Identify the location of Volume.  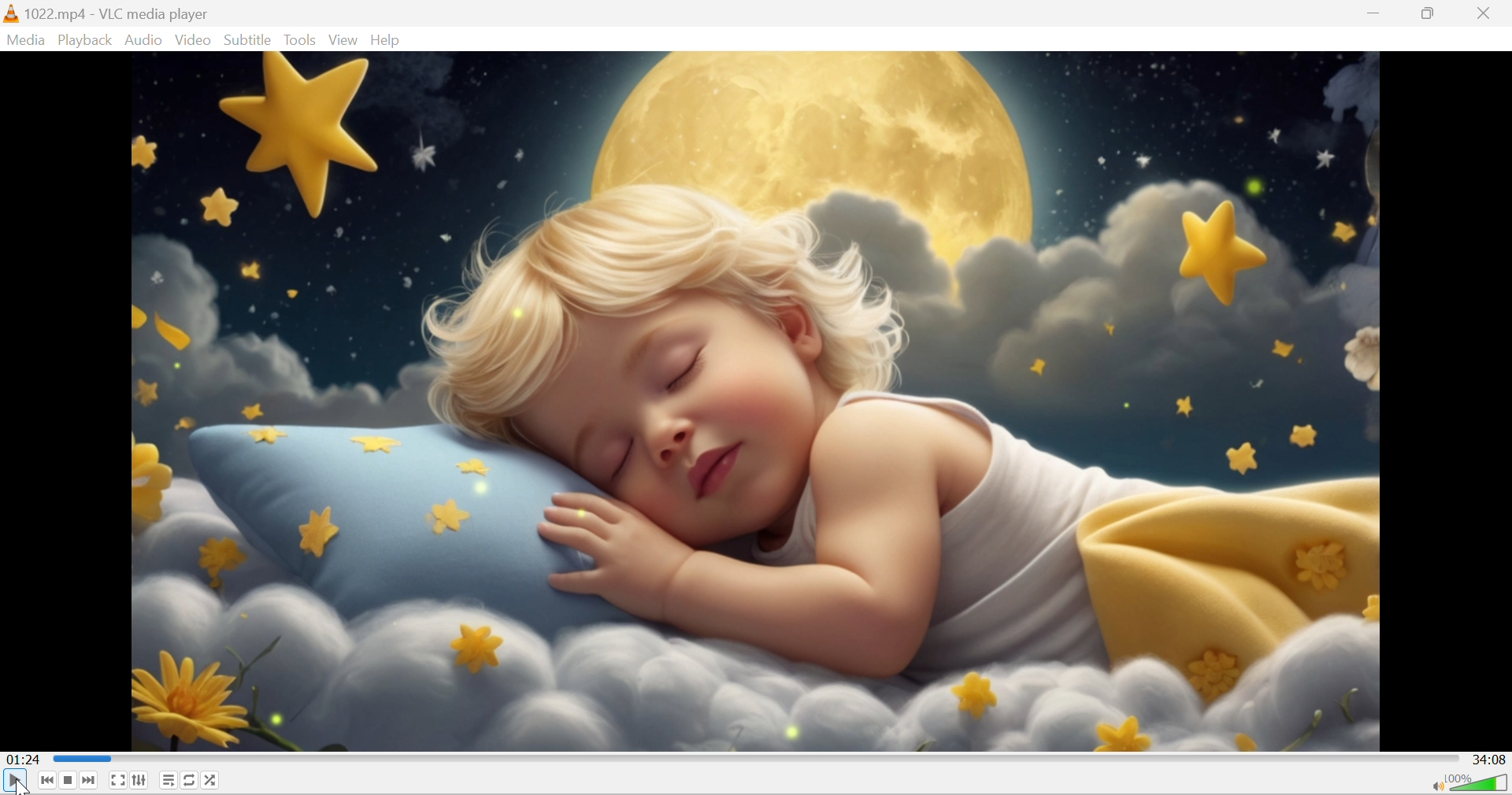
(1477, 783).